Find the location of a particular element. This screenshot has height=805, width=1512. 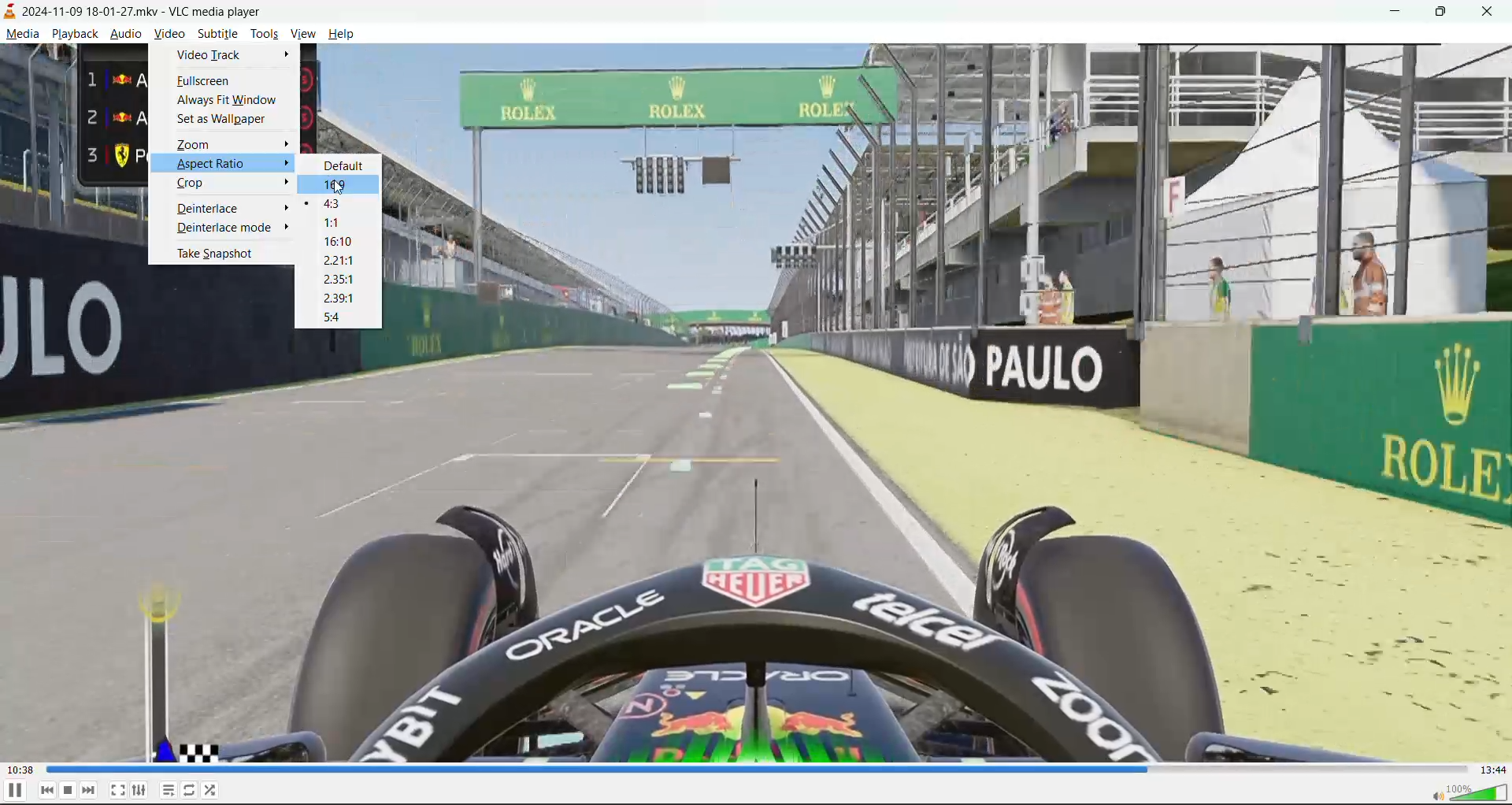

video is located at coordinates (169, 35).